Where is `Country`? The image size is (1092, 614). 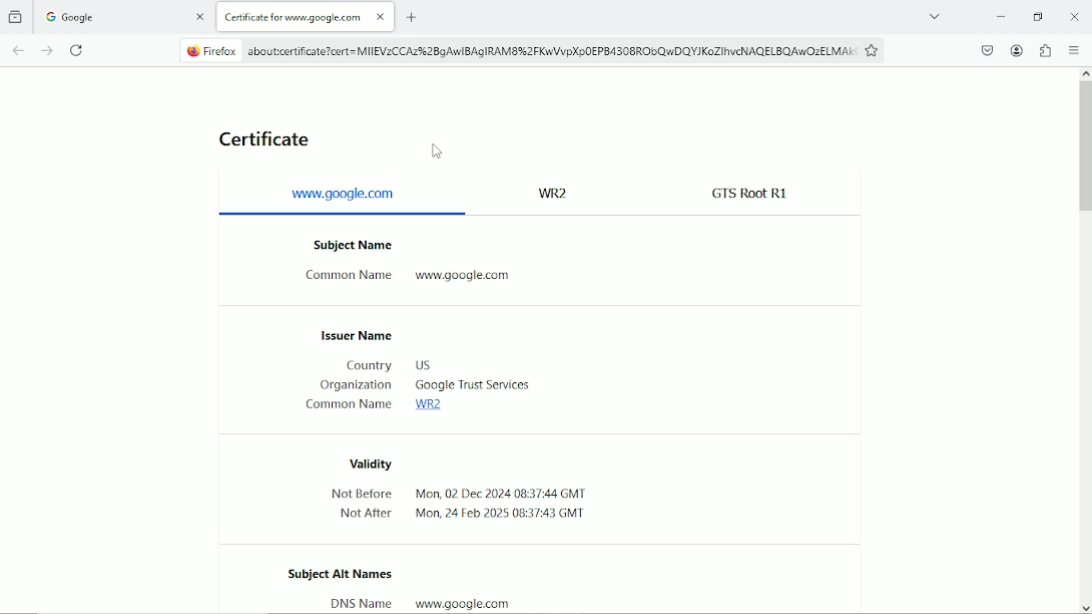
Country is located at coordinates (368, 365).